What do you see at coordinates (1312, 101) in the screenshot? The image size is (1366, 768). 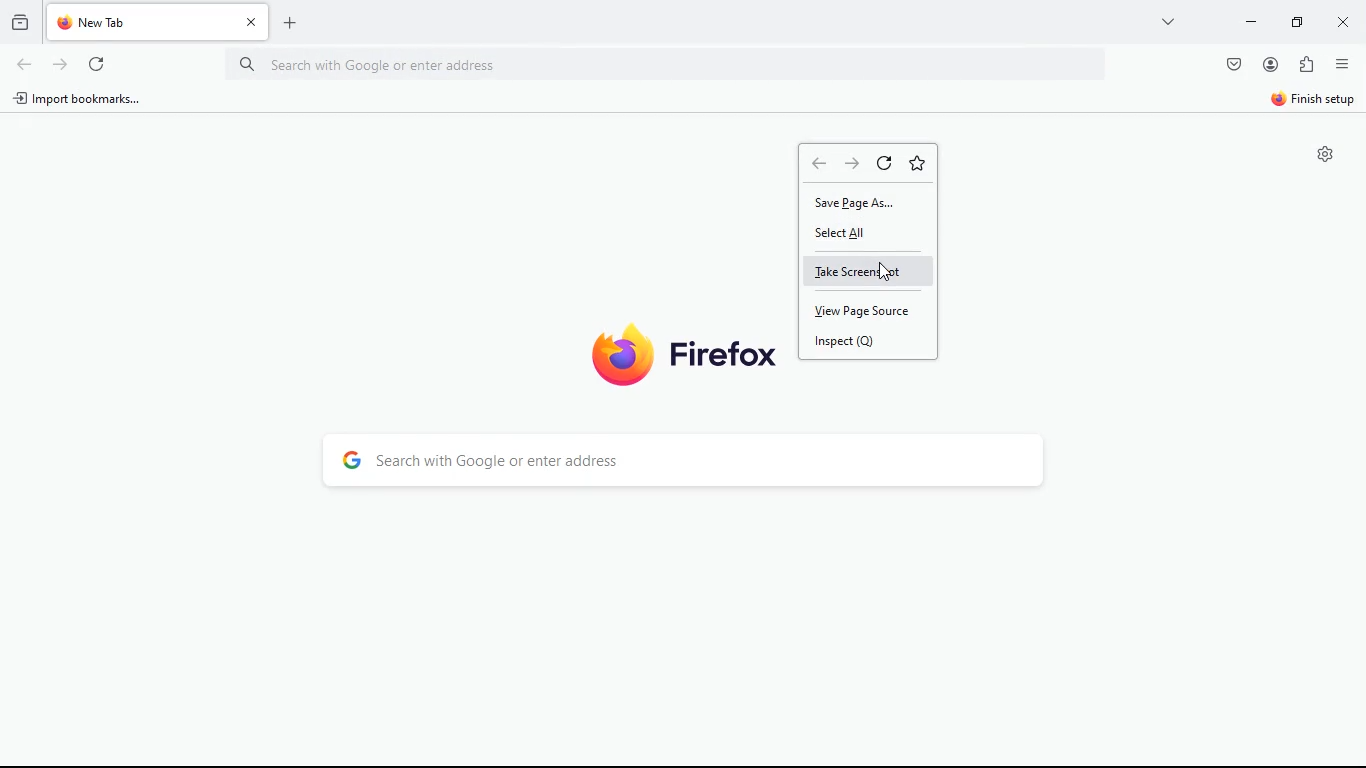 I see `finish setup` at bounding box center [1312, 101].